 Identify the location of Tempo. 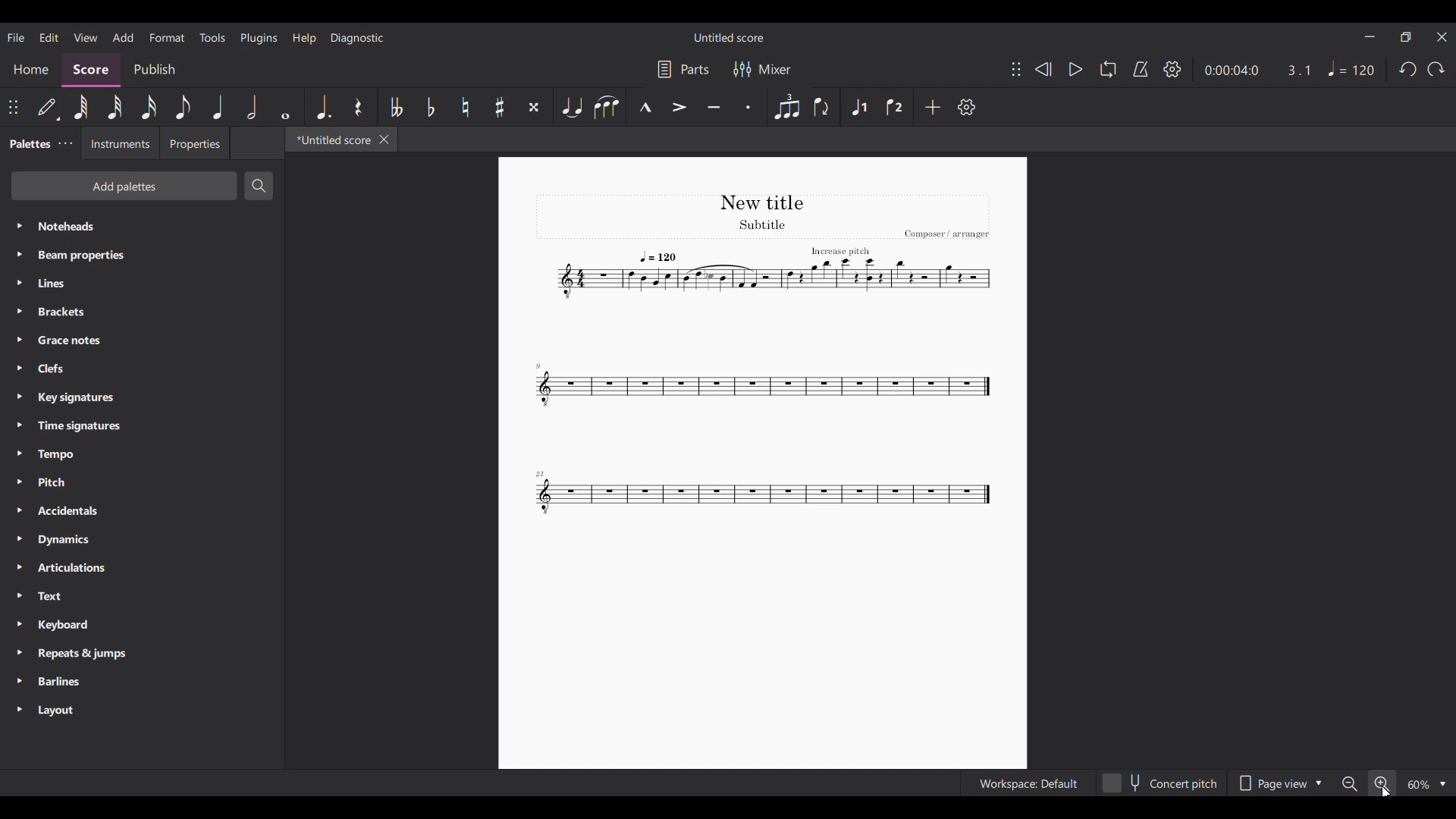
(1351, 68).